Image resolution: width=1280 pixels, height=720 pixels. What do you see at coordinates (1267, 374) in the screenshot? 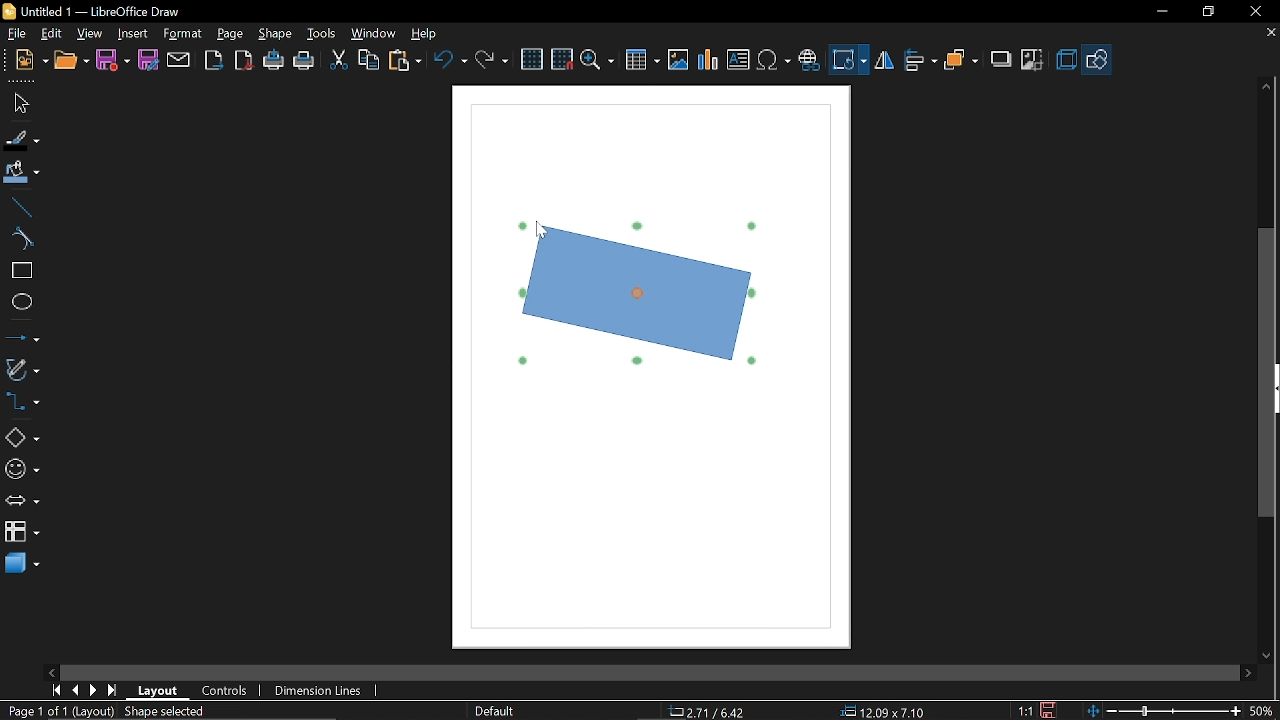
I see `vertical scrollbar` at bounding box center [1267, 374].